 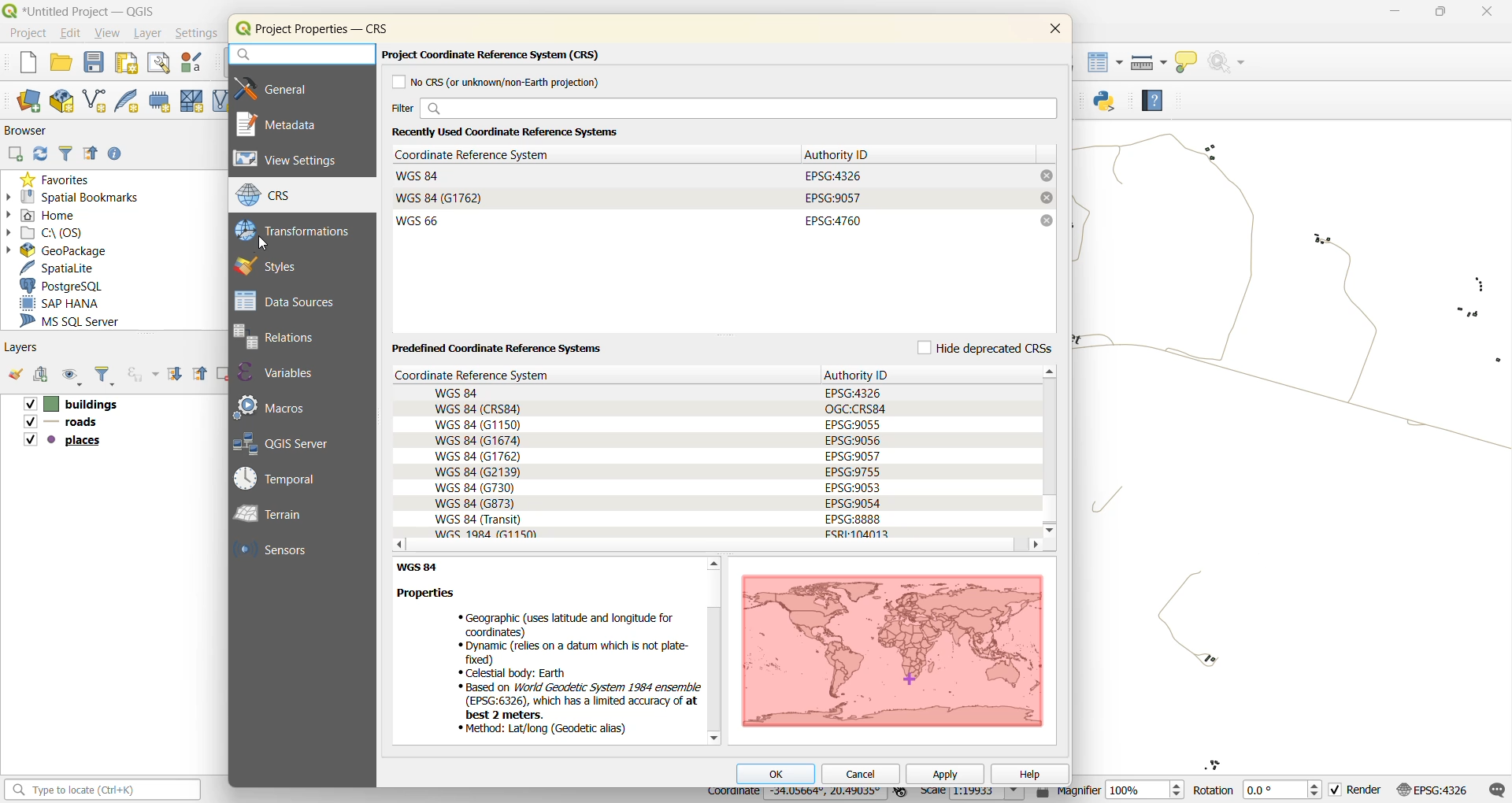 I want to click on relations, so click(x=288, y=336).